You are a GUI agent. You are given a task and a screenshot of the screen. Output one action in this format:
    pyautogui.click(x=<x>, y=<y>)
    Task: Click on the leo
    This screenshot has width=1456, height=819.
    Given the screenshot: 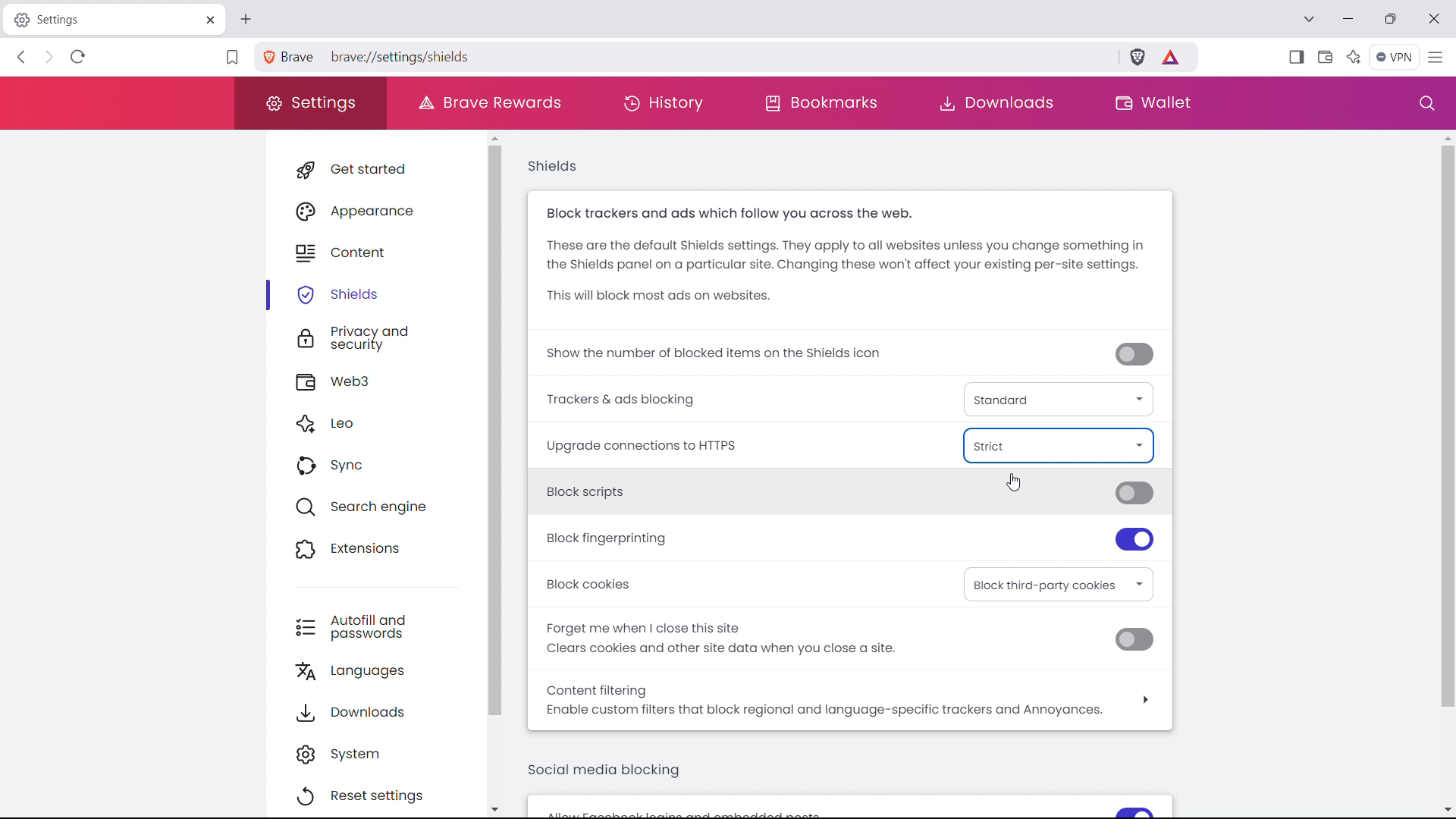 What is the action you would take?
    pyautogui.click(x=384, y=422)
    